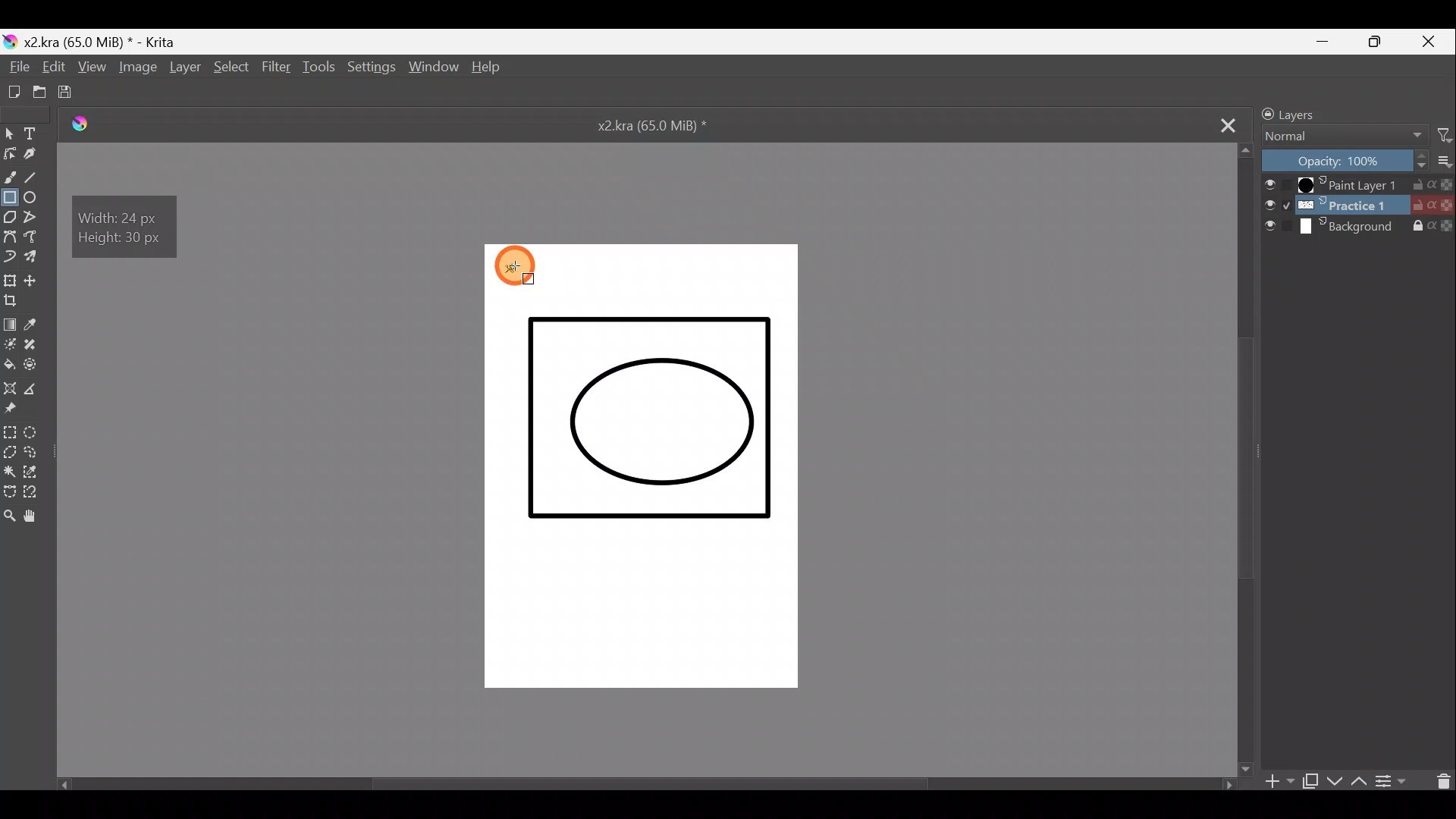  What do you see at coordinates (9, 494) in the screenshot?
I see `Bezier curve selection tool` at bounding box center [9, 494].